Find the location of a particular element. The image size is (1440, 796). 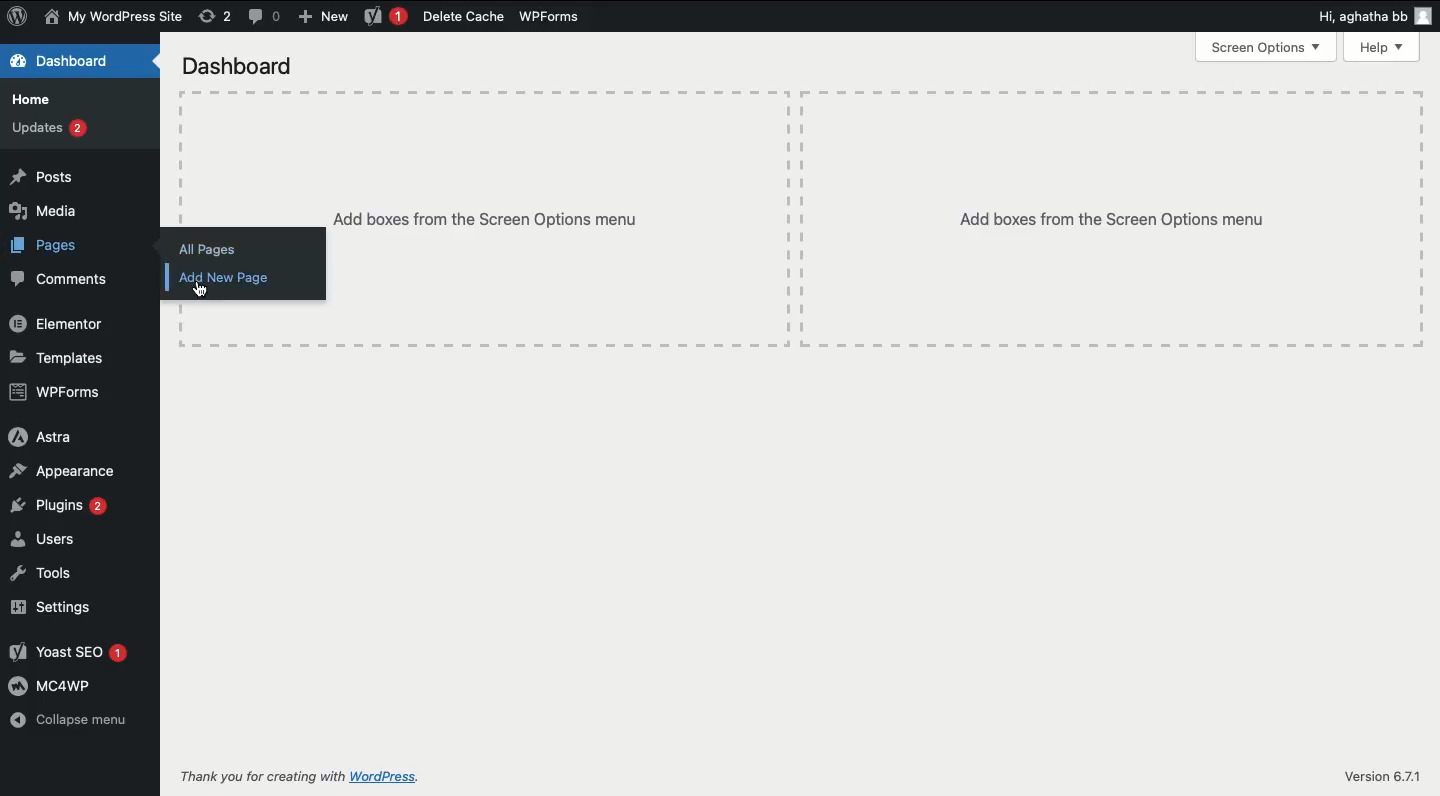

Screen options is located at coordinates (1266, 50).